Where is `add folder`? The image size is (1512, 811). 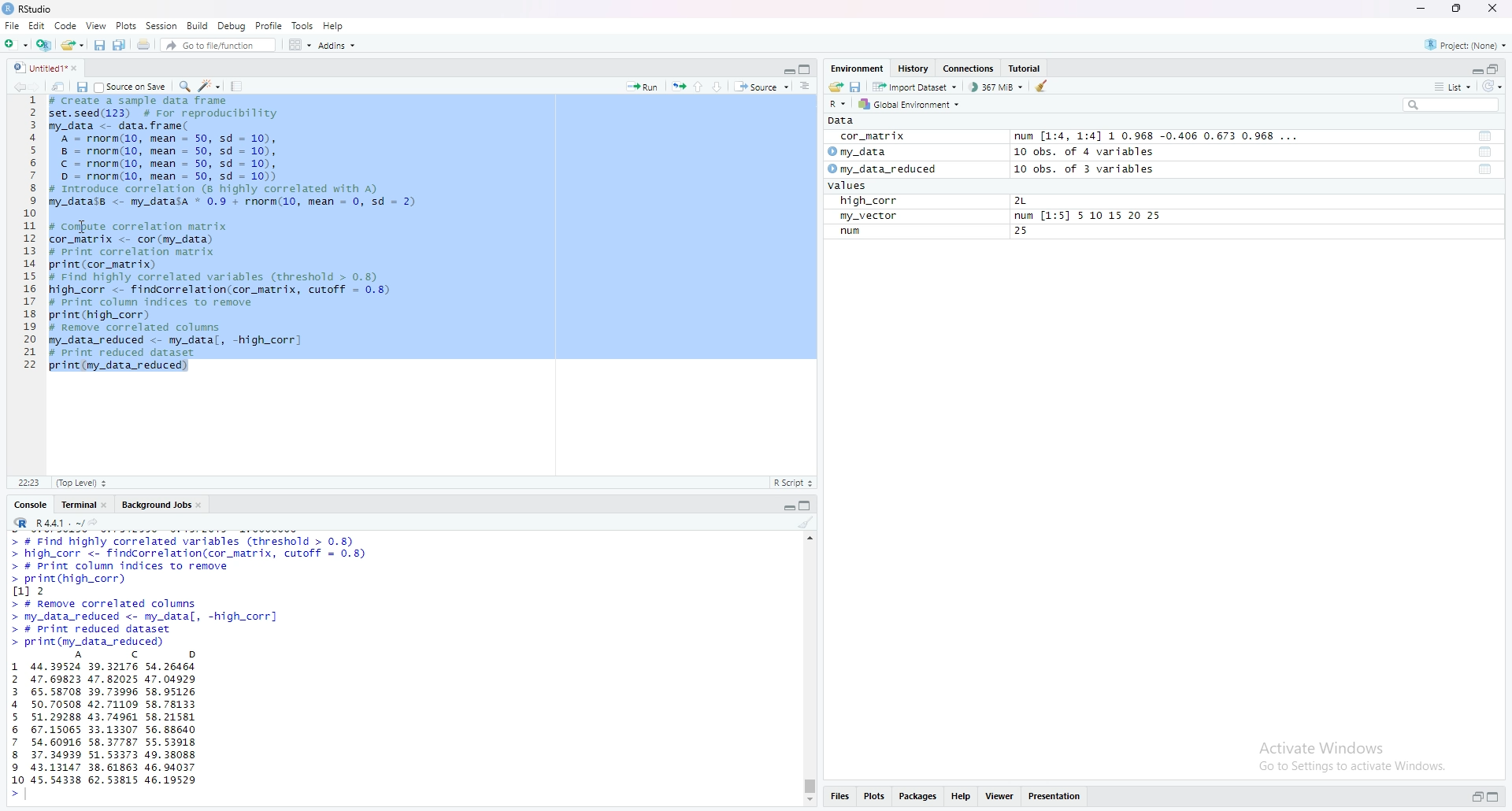
add folder is located at coordinates (18, 44).